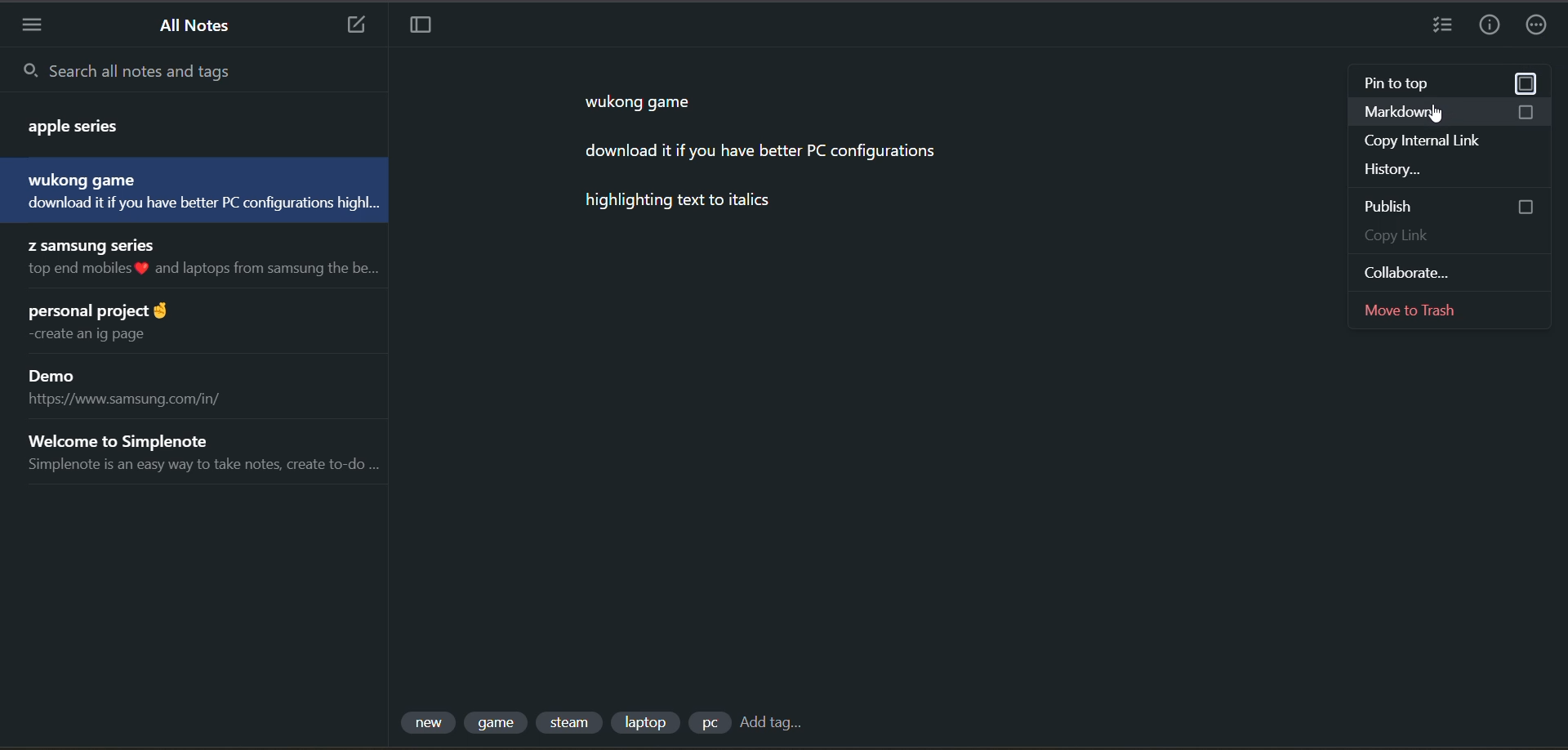 The image size is (1568, 750). Describe the element at coordinates (32, 24) in the screenshot. I see `menu` at that location.